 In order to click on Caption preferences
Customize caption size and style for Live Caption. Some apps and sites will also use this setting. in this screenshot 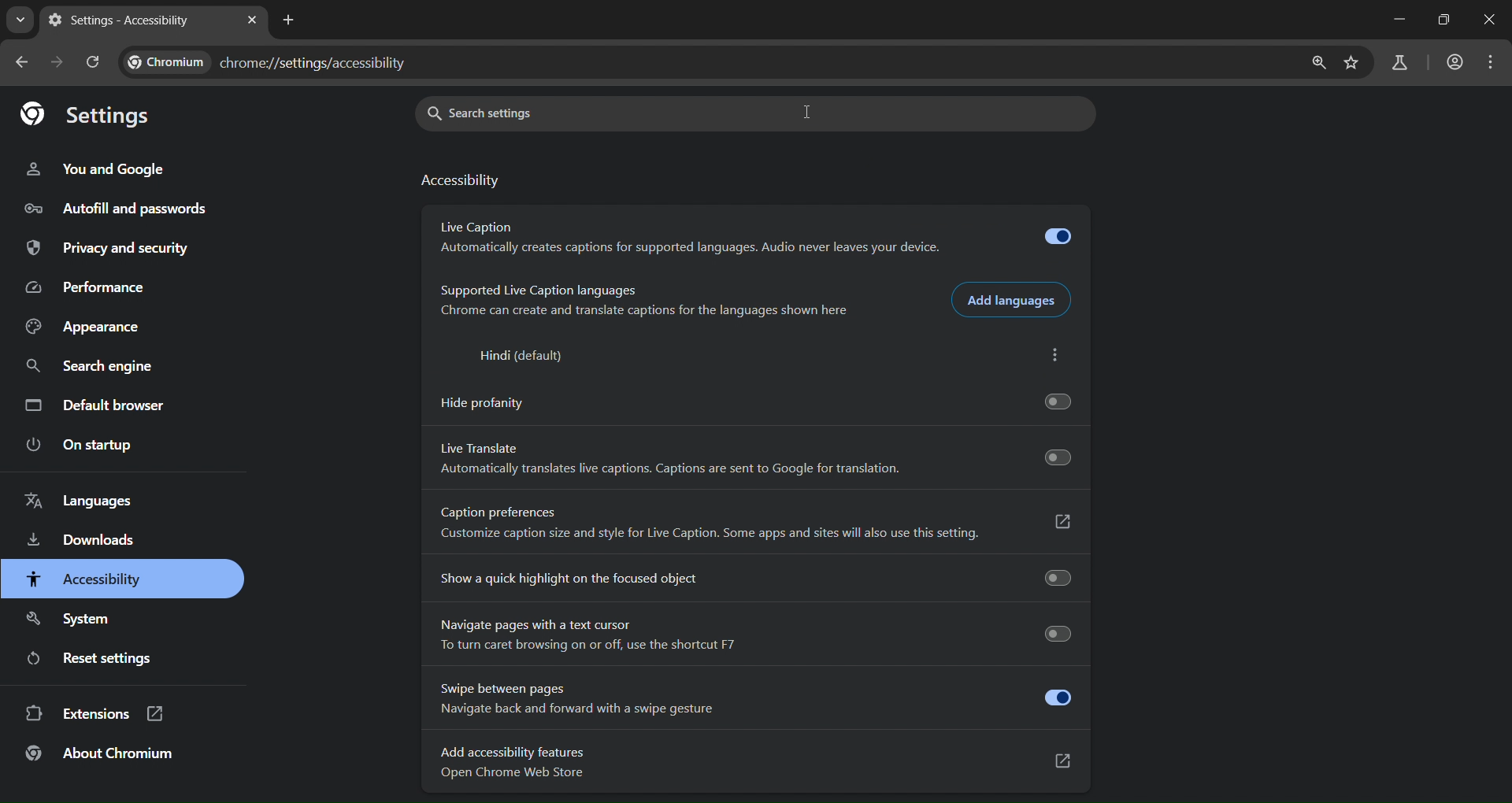, I will do `click(754, 527)`.